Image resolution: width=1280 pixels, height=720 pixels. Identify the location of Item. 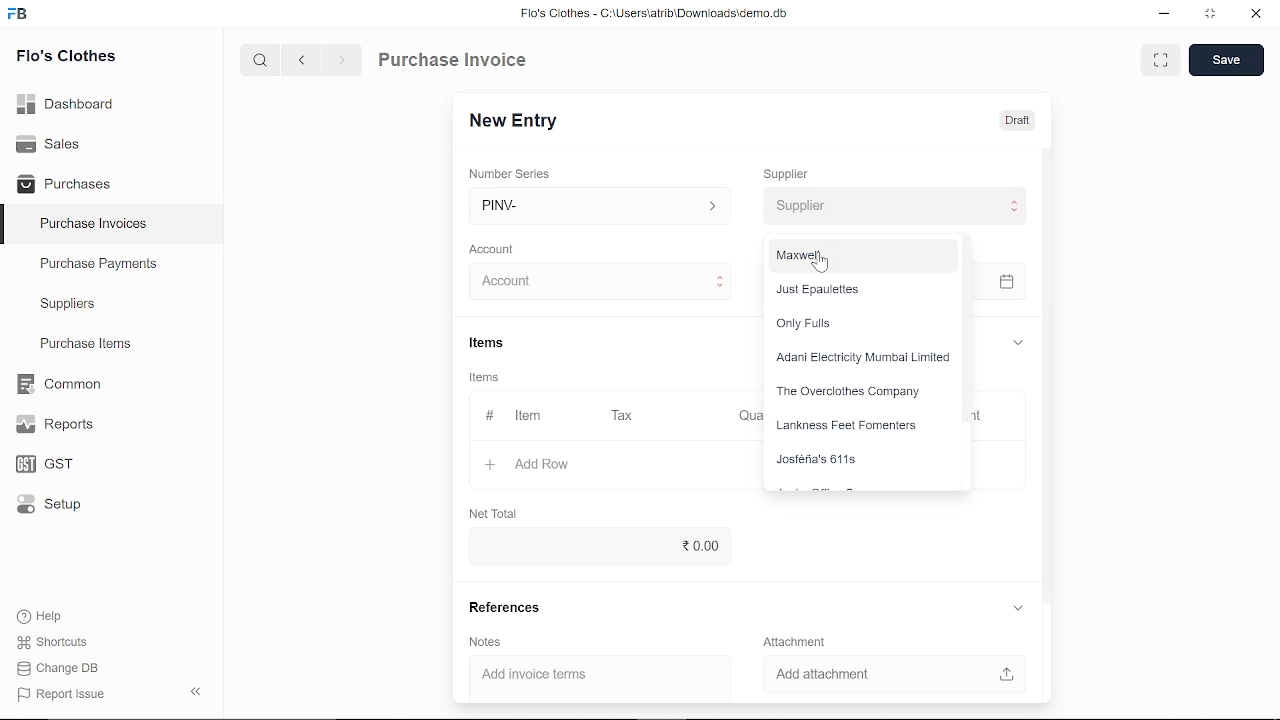
(514, 416).